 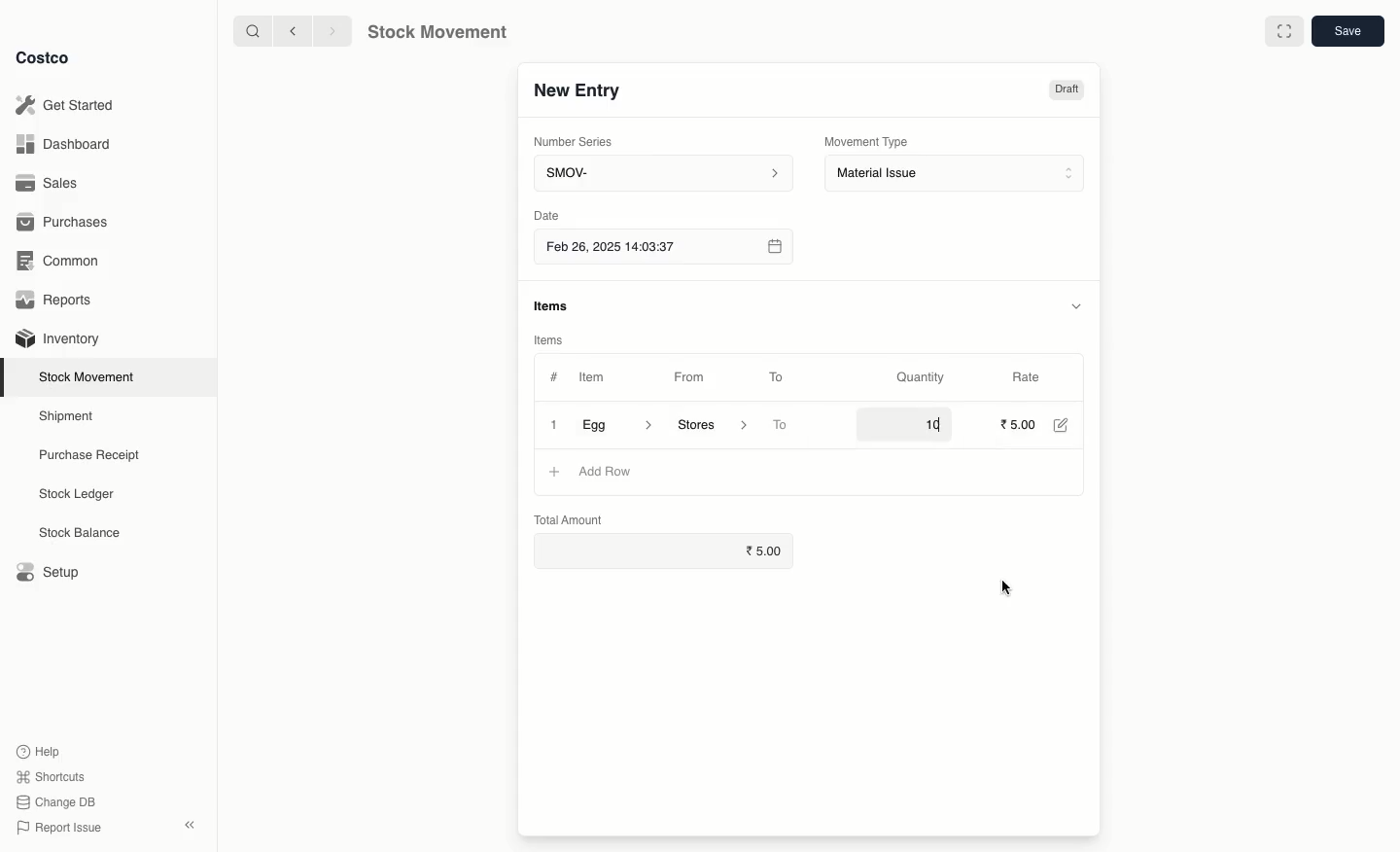 I want to click on Quantity, so click(x=924, y=378).